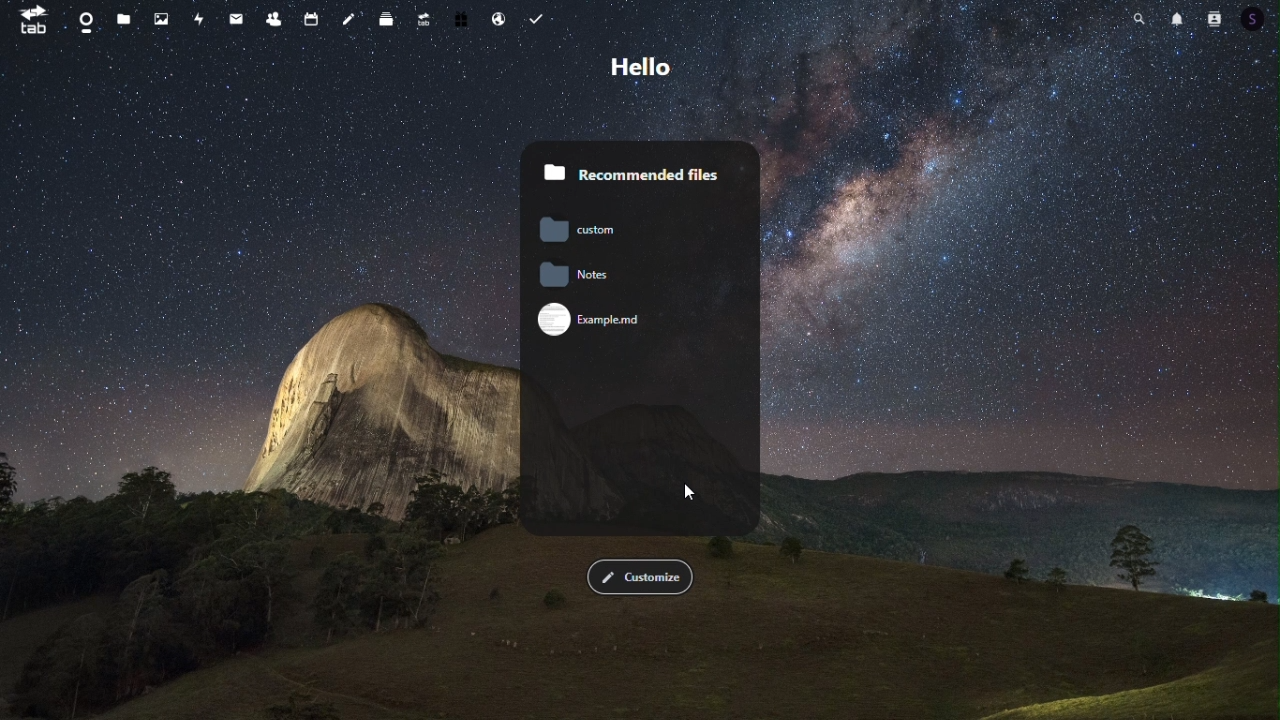 This screenshot has width=1280, height=720. I want to click on free trail, so click(461, 22).